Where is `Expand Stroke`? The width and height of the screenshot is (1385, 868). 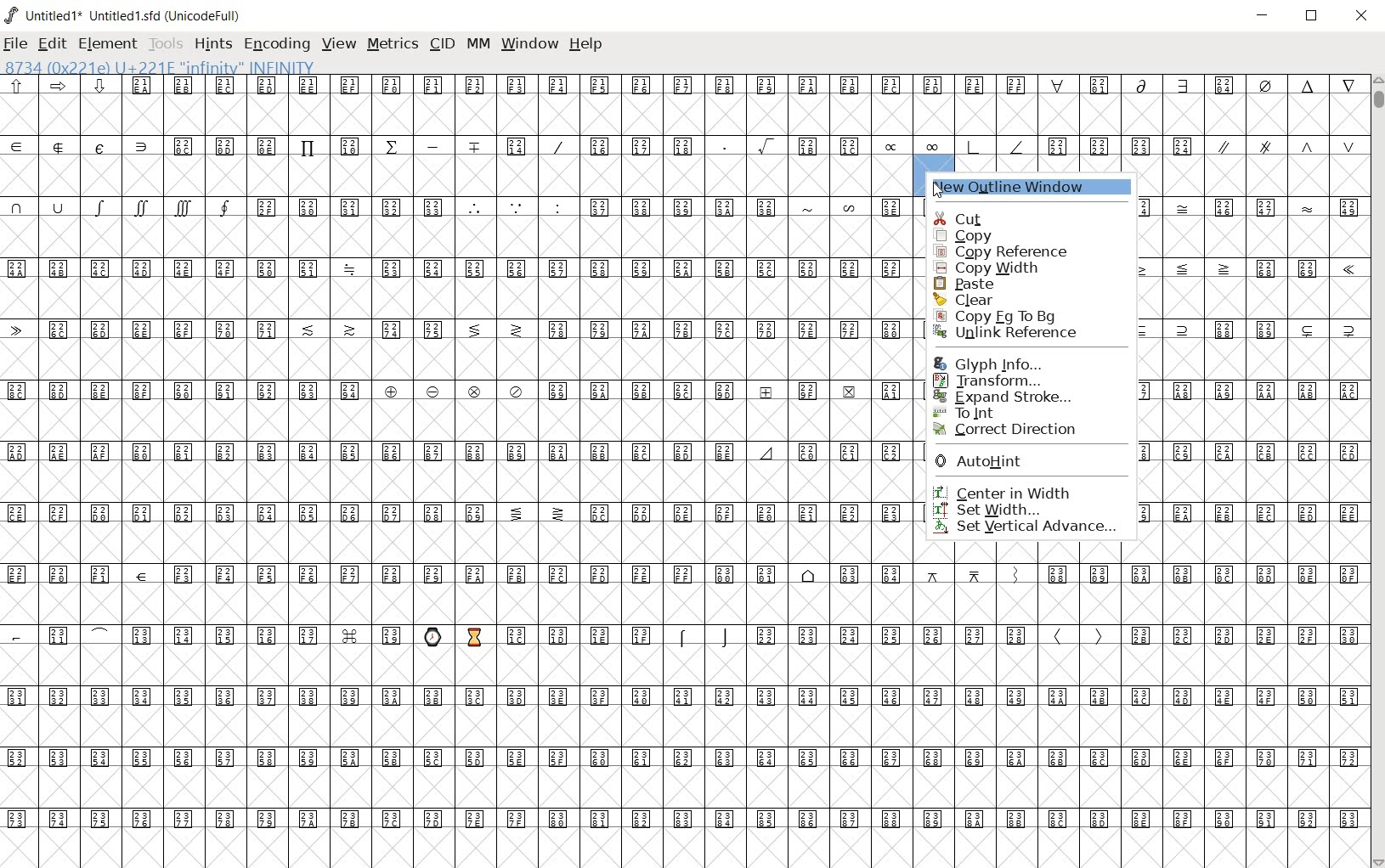
Expand Stroke is located at coordinates (1010, 396).